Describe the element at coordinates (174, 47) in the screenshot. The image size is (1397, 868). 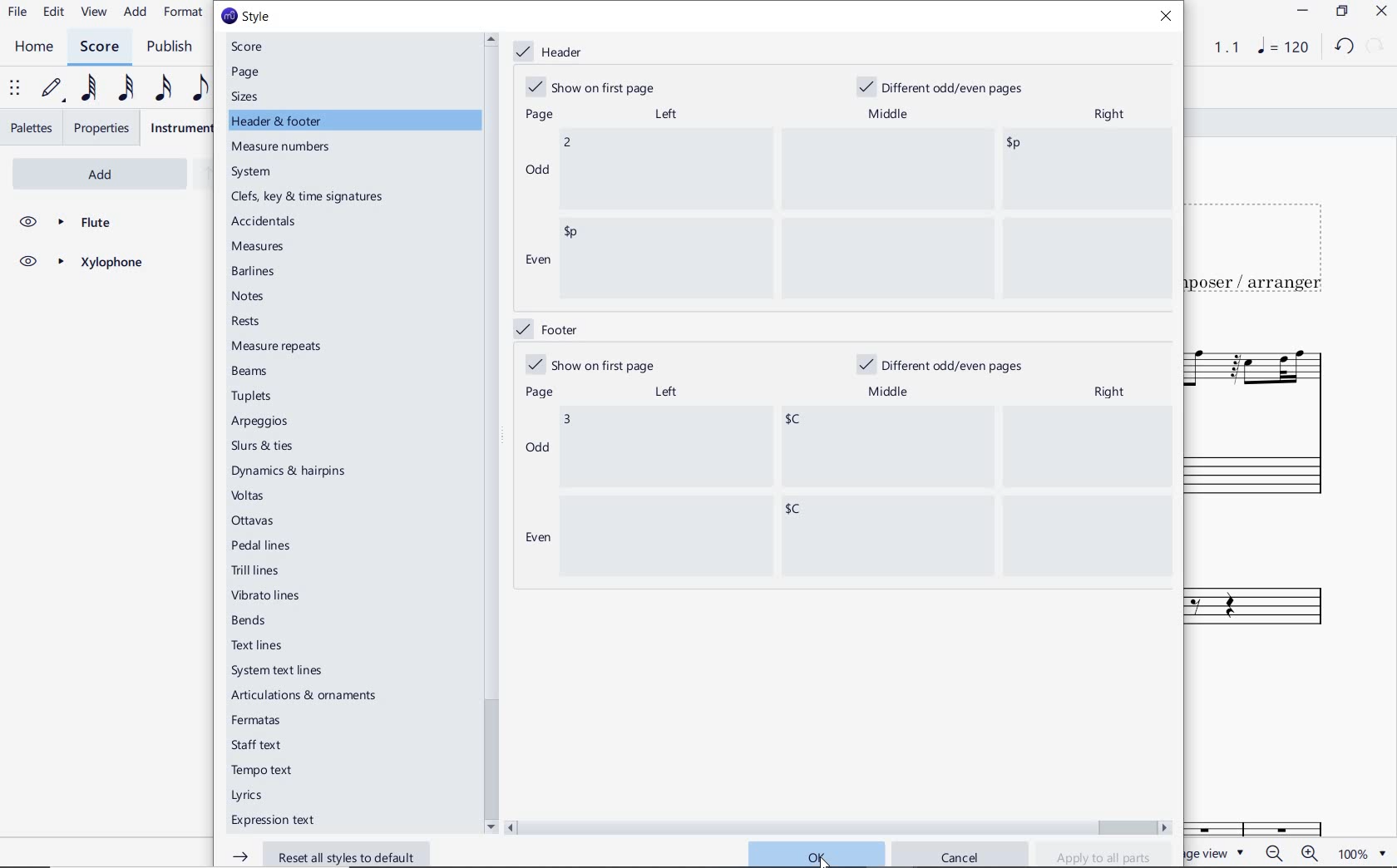
I see `PUBLISH` at that location.